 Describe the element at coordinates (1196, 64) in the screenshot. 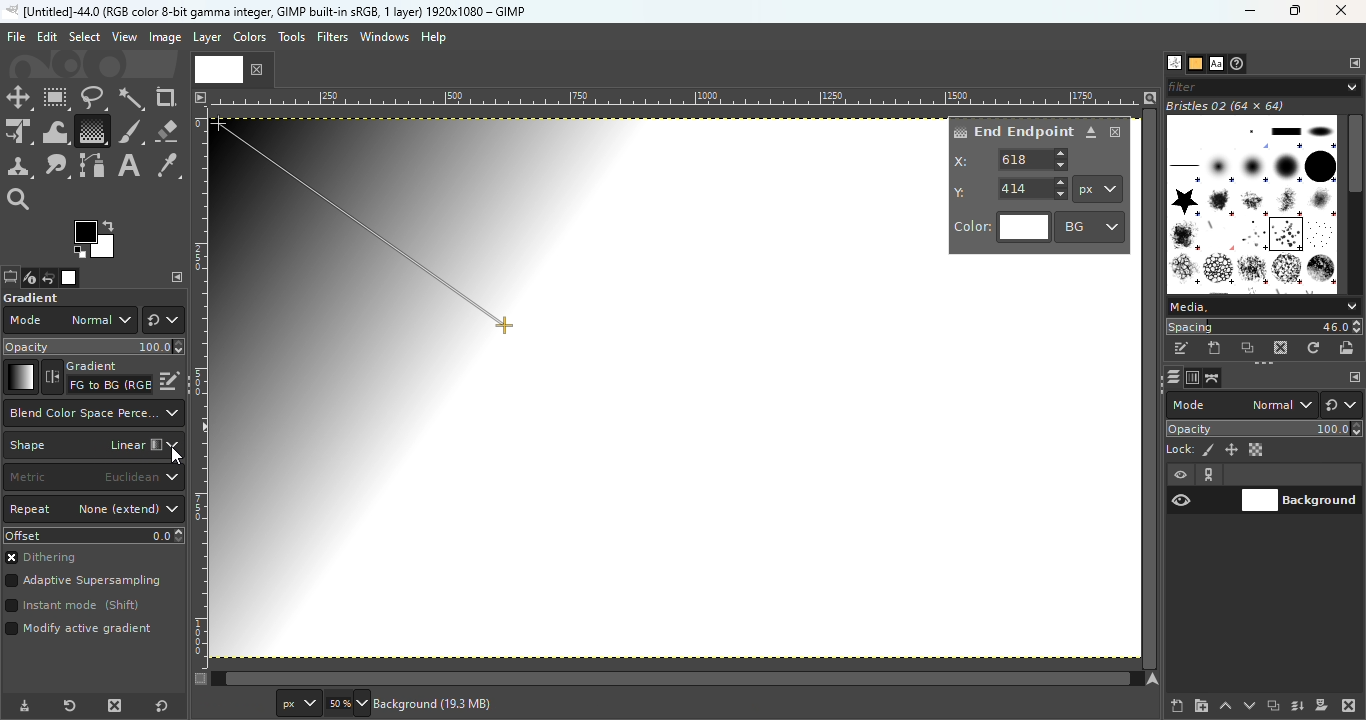

I see `Open the patterns dialog` at that location.